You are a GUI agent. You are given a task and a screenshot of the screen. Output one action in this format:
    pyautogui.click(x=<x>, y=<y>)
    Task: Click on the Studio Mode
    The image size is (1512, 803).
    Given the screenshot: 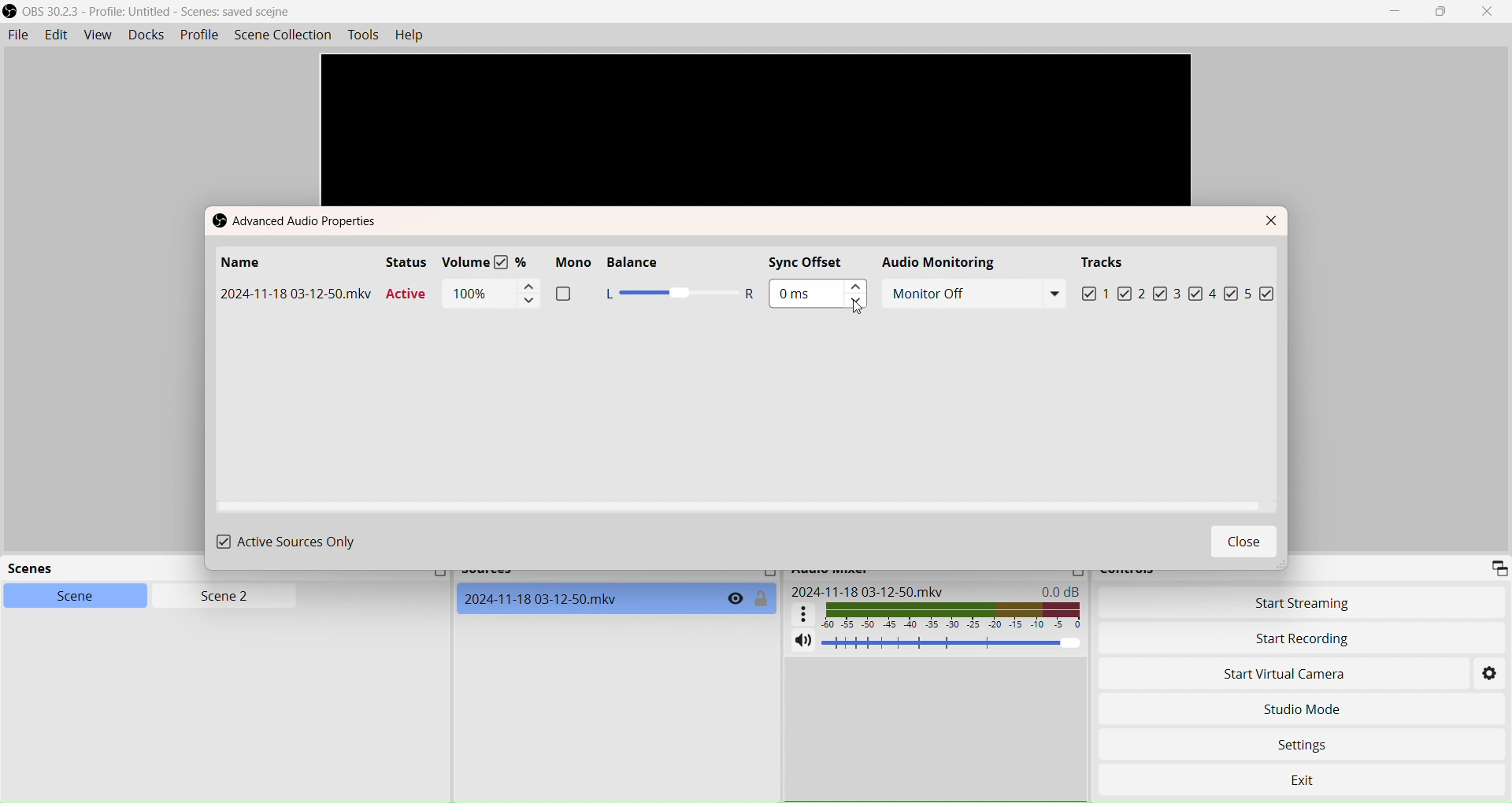 What is the action you would take?
    pyautogui.click(x=1301, y=709)
    